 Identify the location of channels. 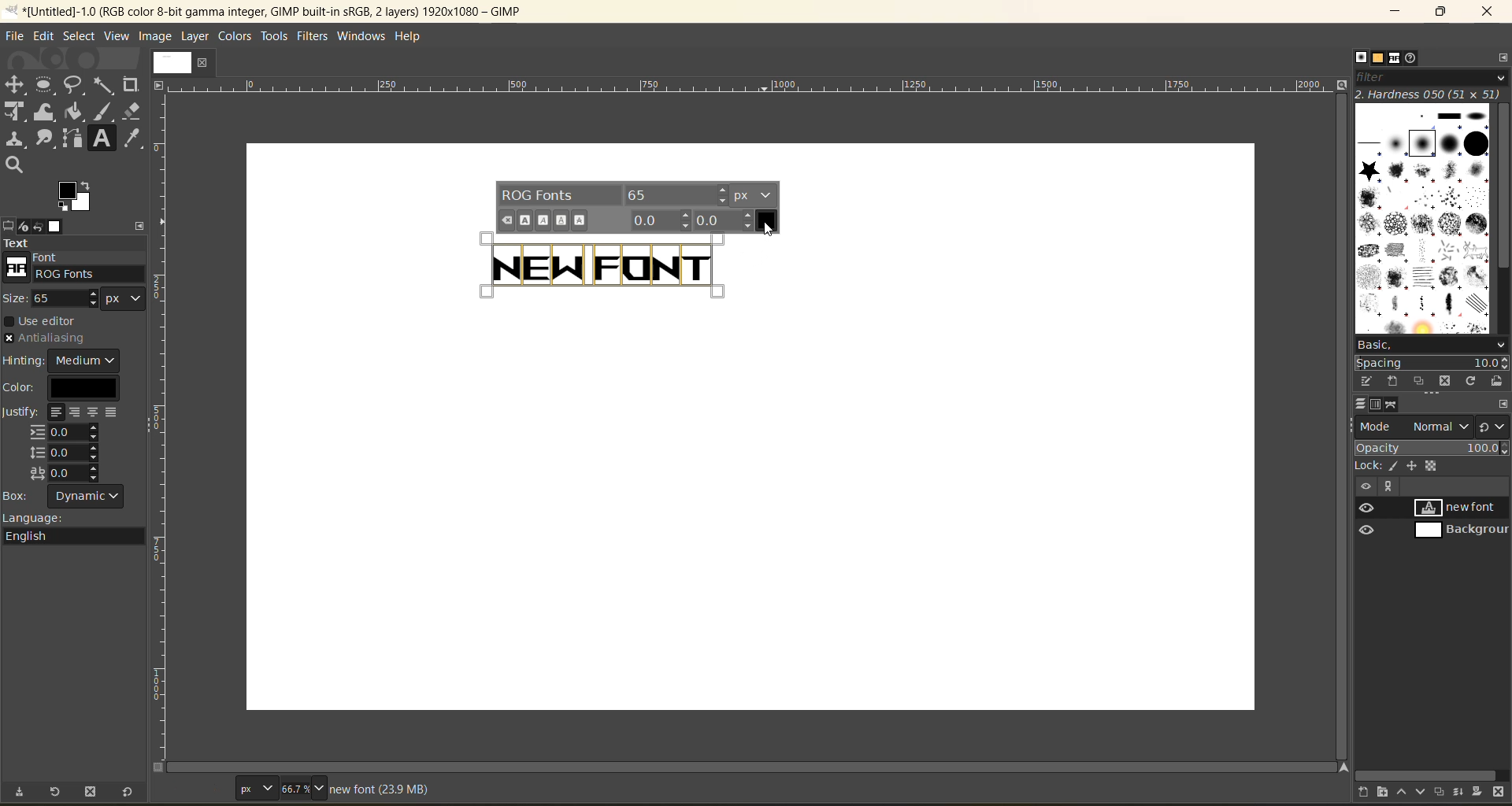
(1378, 406).